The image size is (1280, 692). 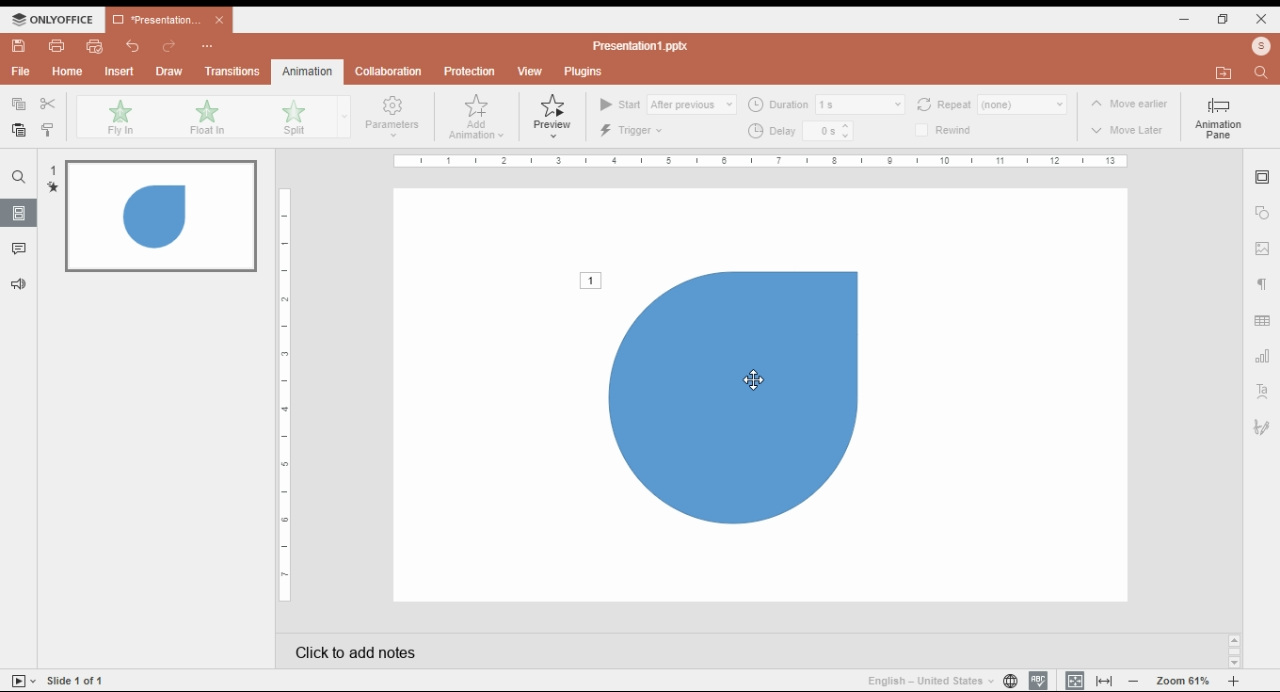 I want to click on comments, so click(x=19, y=249).